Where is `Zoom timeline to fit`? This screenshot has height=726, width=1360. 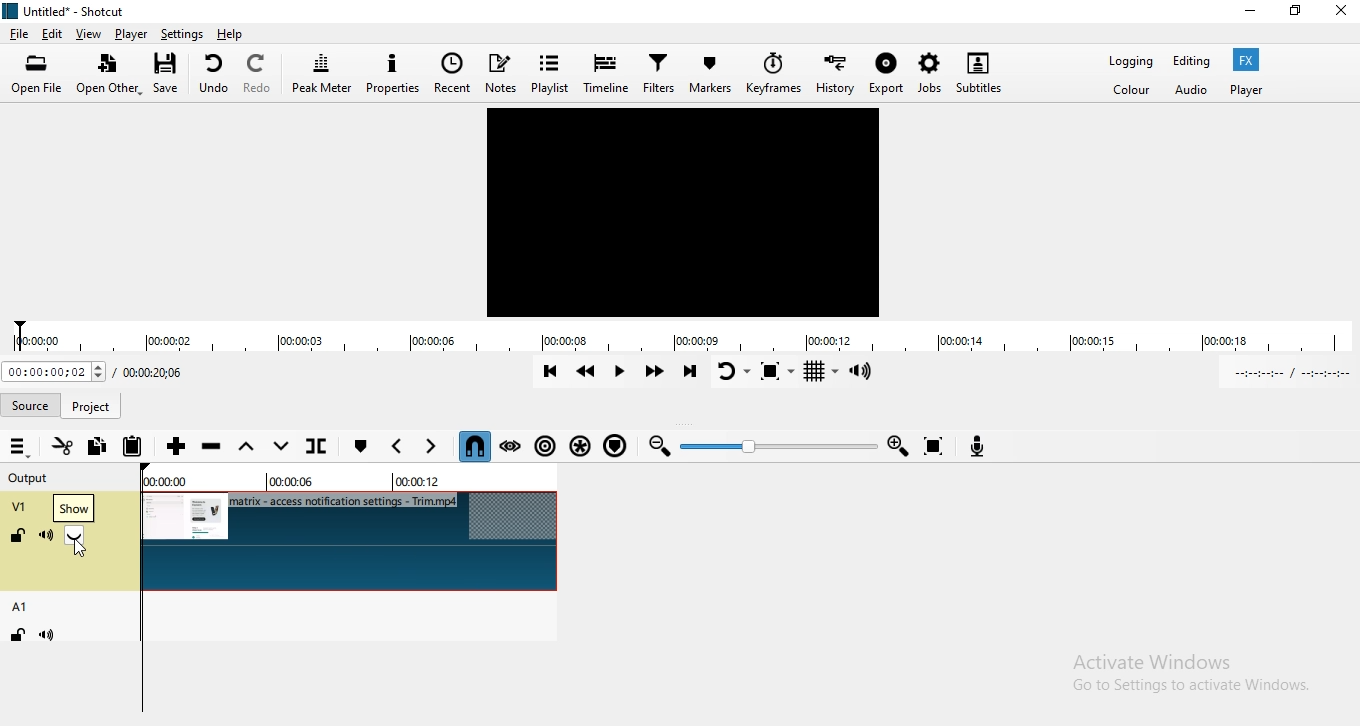 Zoom timeline to fit is located at coordinates (937, 446).